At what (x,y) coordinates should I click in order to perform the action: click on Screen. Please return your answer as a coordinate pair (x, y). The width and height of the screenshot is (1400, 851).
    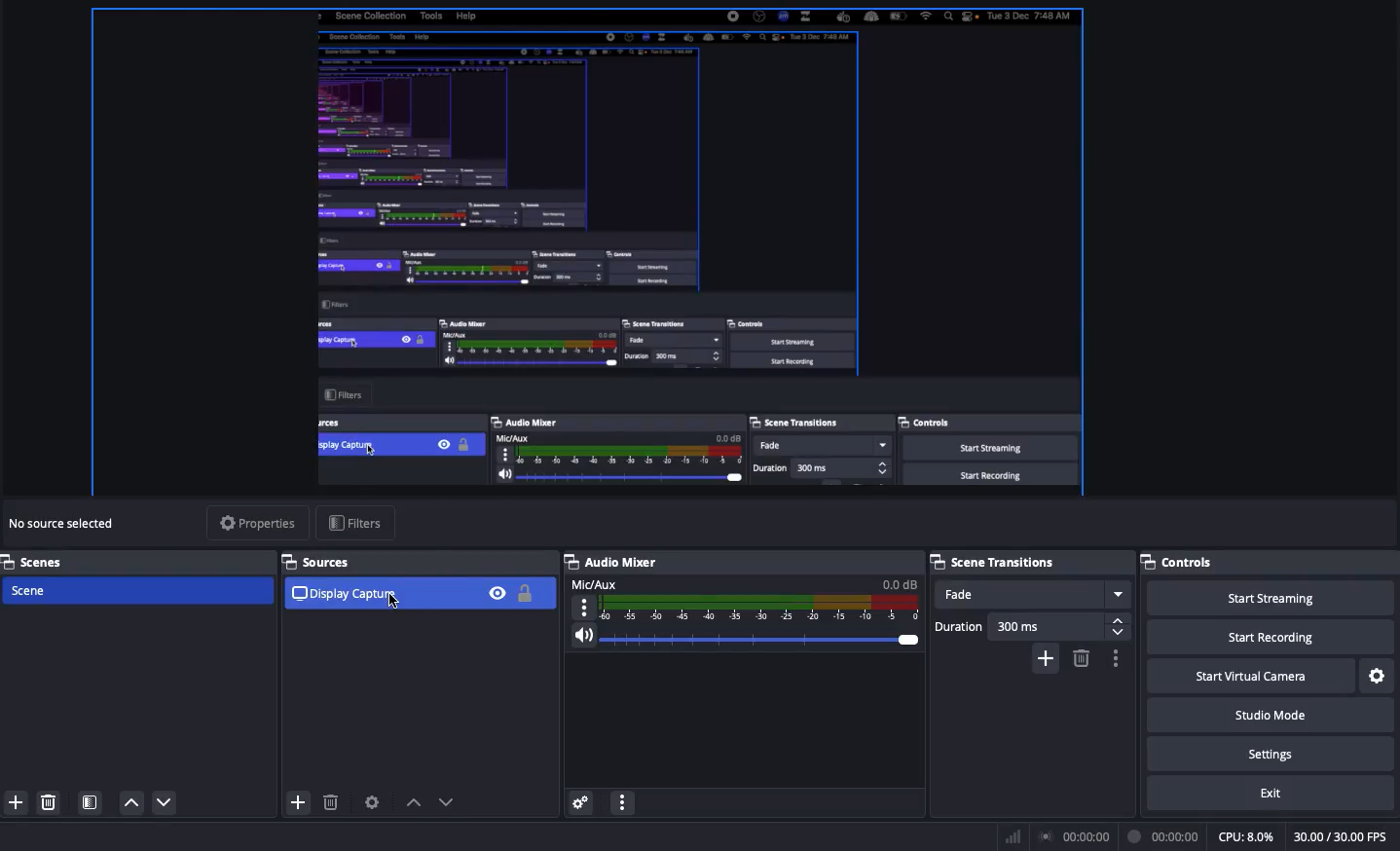
    Looking at the image, I should click on (583, 252).